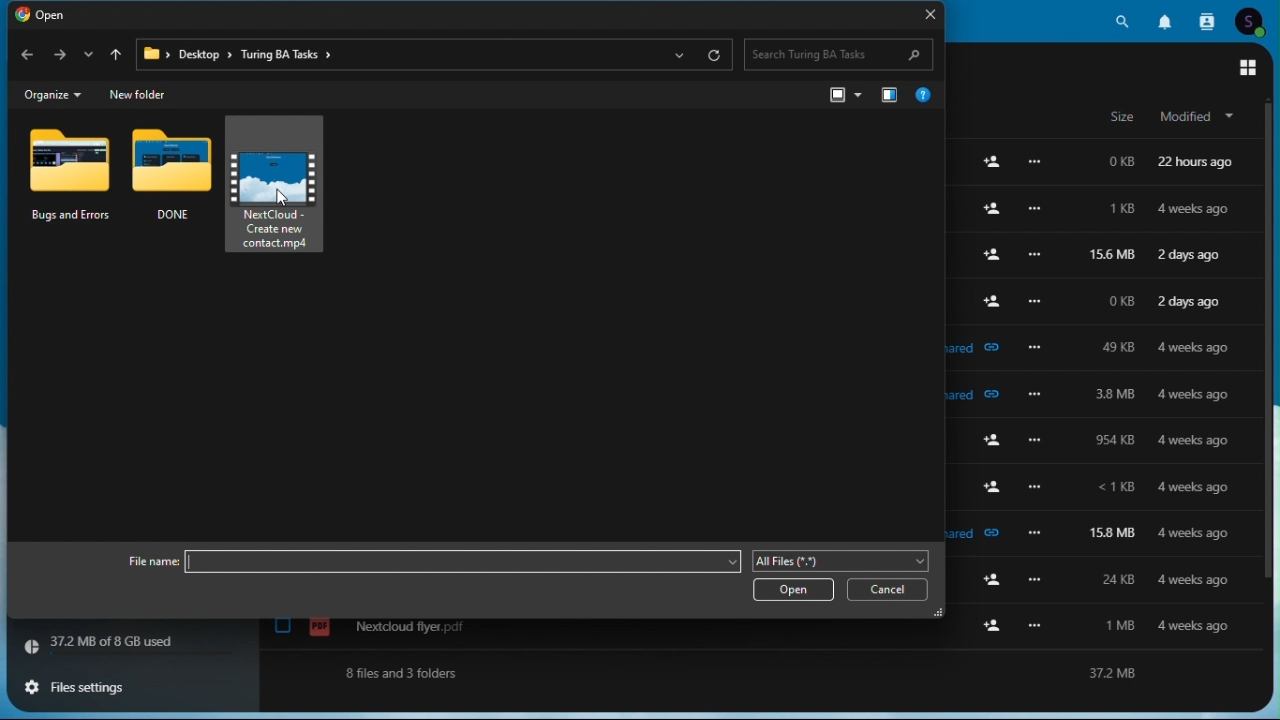  Describe the element at coordinates (400, 674) in the screenshot. I see `8 files and 3 folders` at that location.